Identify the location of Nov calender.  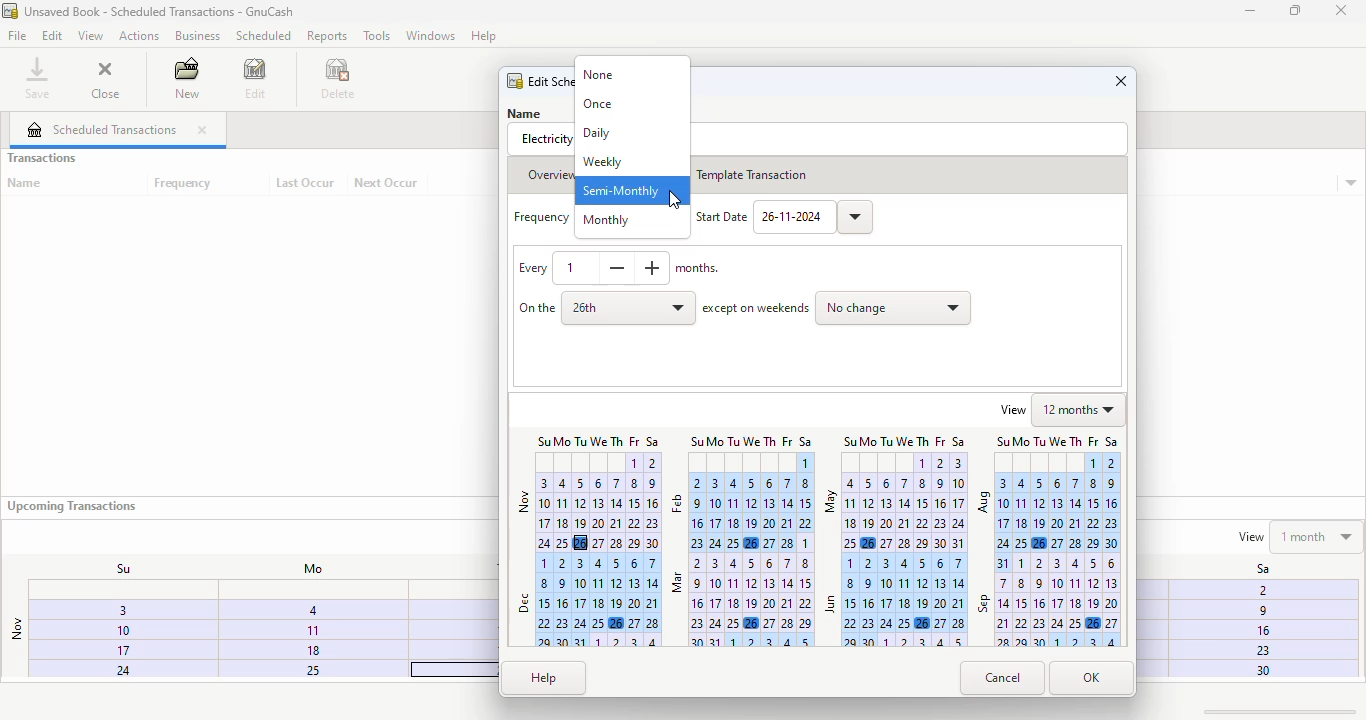
(588, 493).